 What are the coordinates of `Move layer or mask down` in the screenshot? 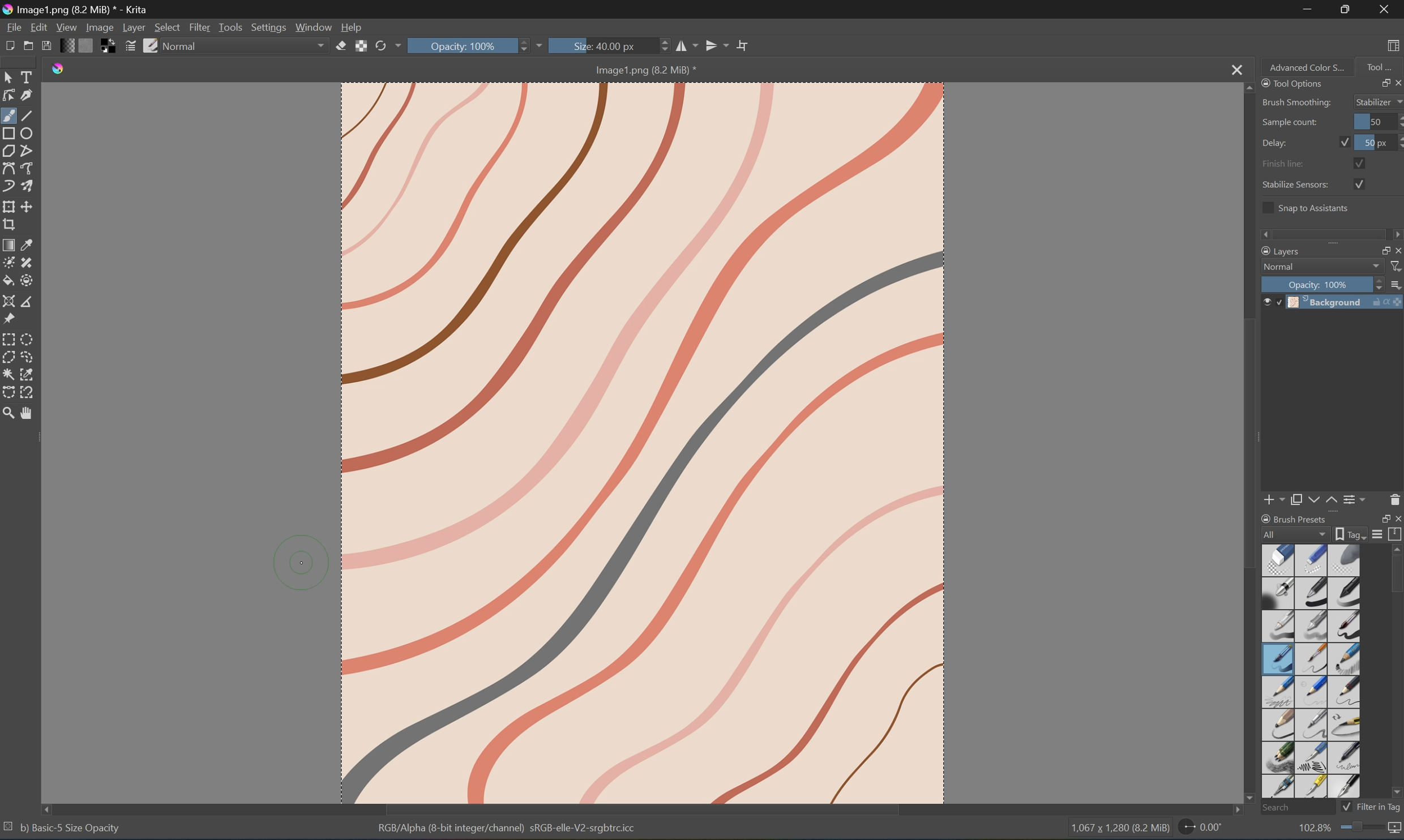 It's located at (1312, 499).